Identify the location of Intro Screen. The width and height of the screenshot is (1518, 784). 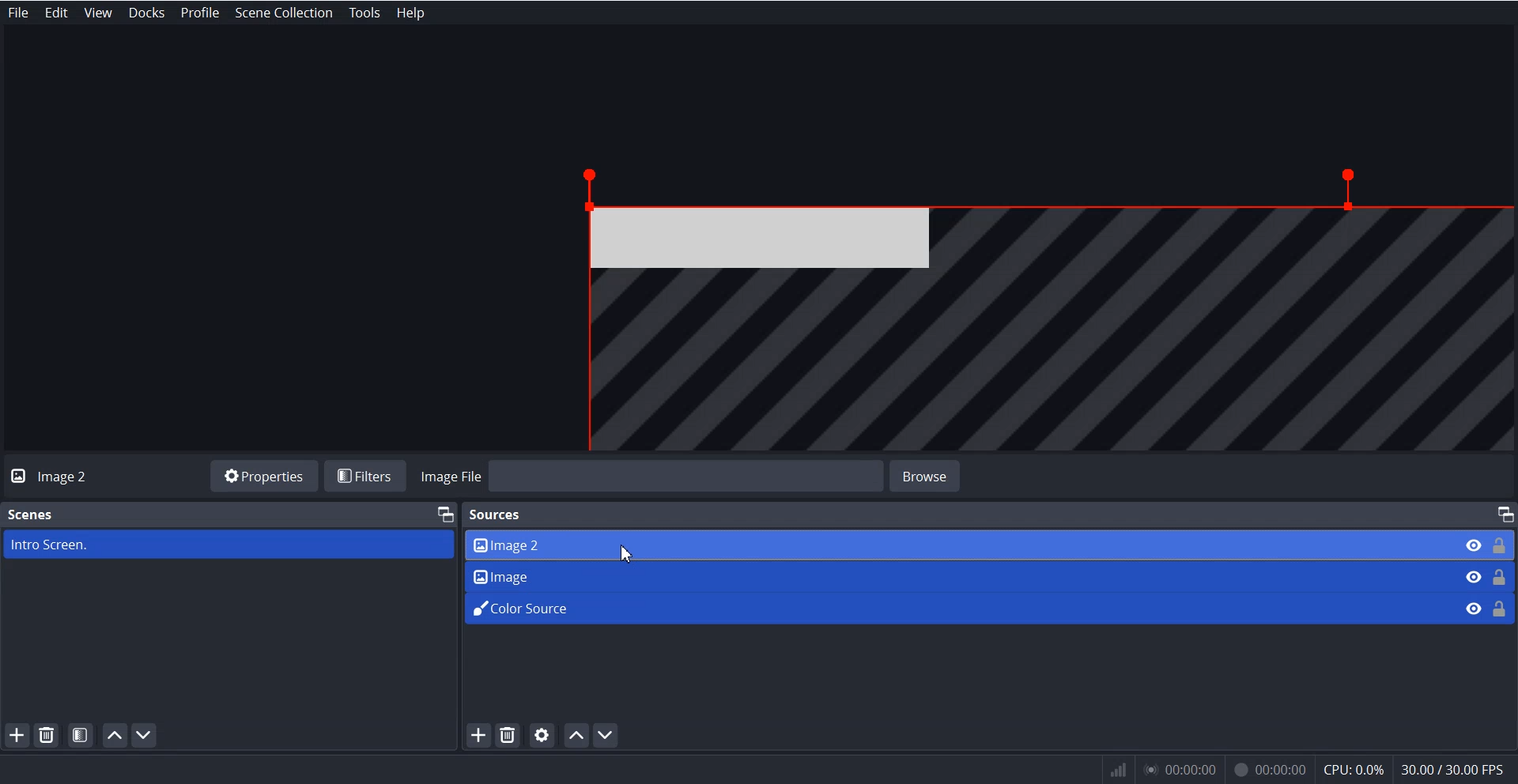
(228, 545).